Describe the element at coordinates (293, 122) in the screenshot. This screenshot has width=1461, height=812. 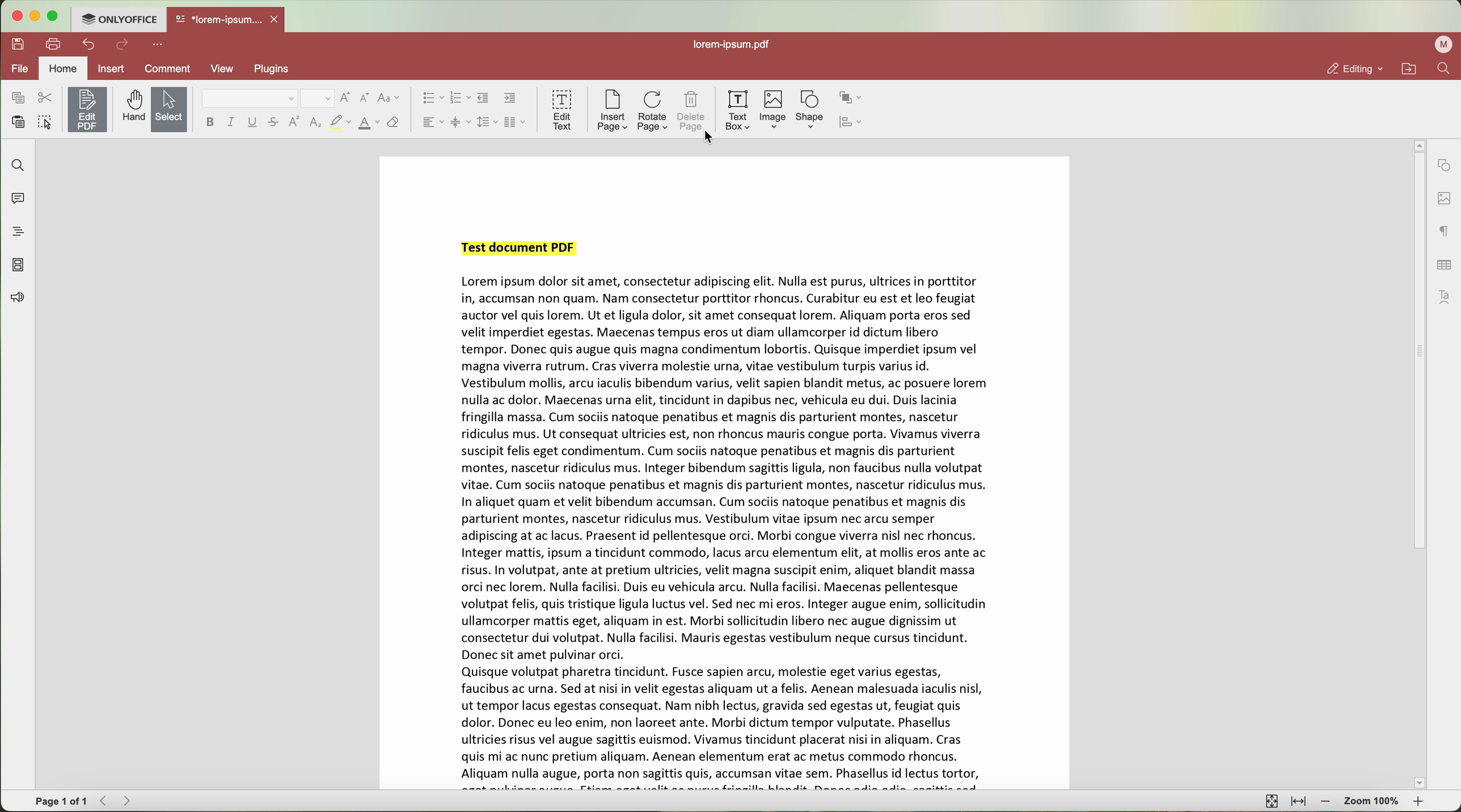
I see `superscript` at that location.